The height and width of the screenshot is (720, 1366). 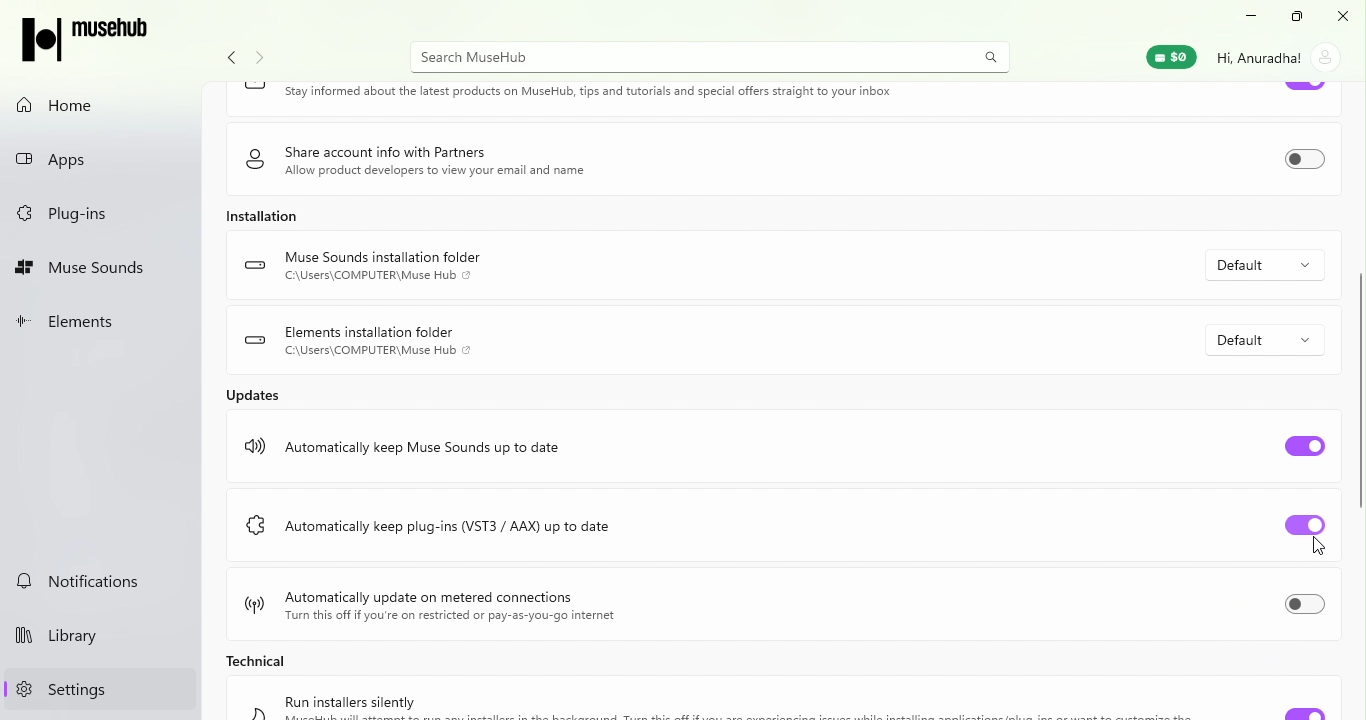 I want to click on Technical, so click(x=260, y=660).